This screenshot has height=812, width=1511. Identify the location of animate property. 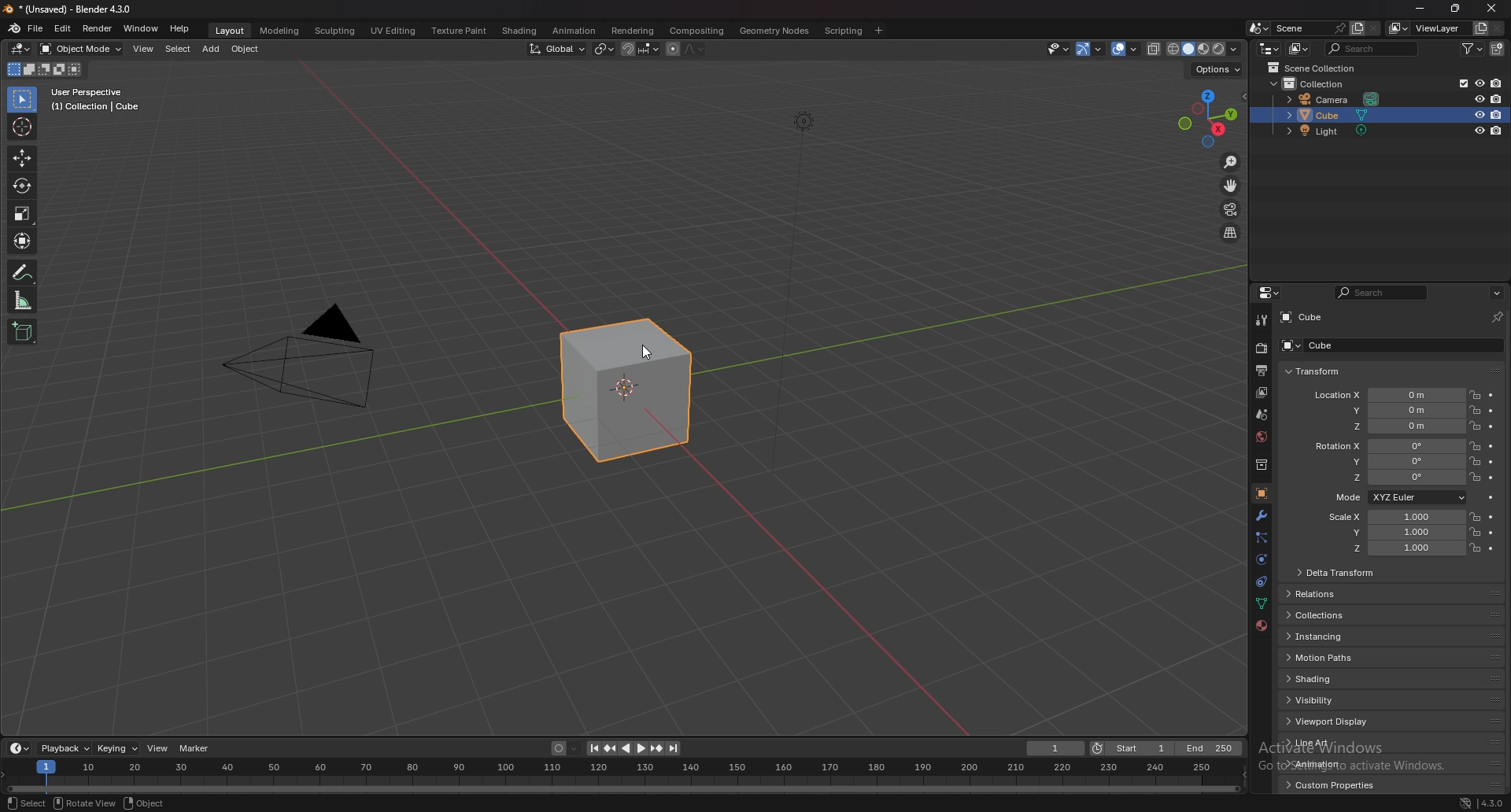
(1491, 518).